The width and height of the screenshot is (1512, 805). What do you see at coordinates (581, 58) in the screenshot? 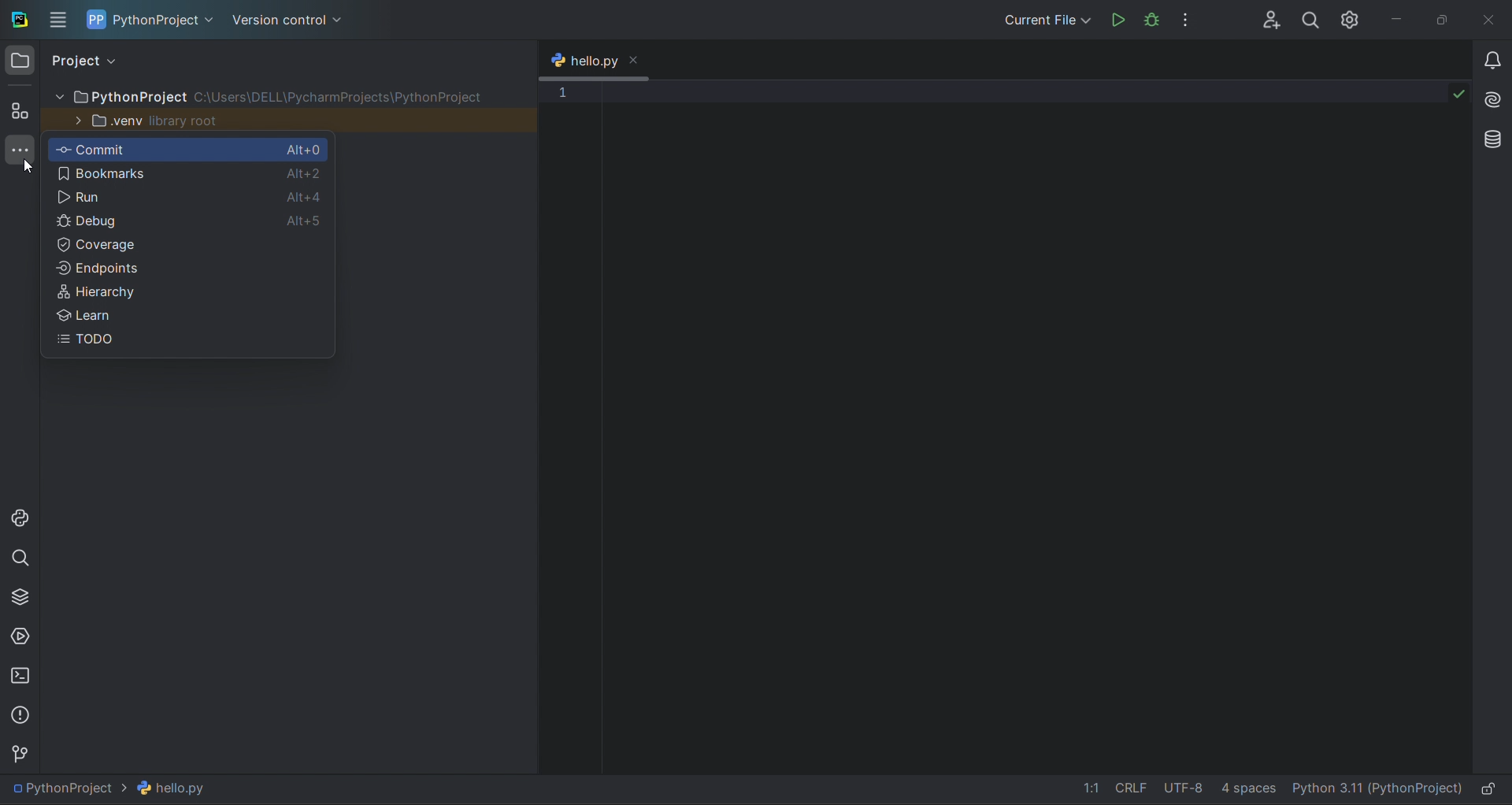
I see `tab` at bounding box center [581, 58].